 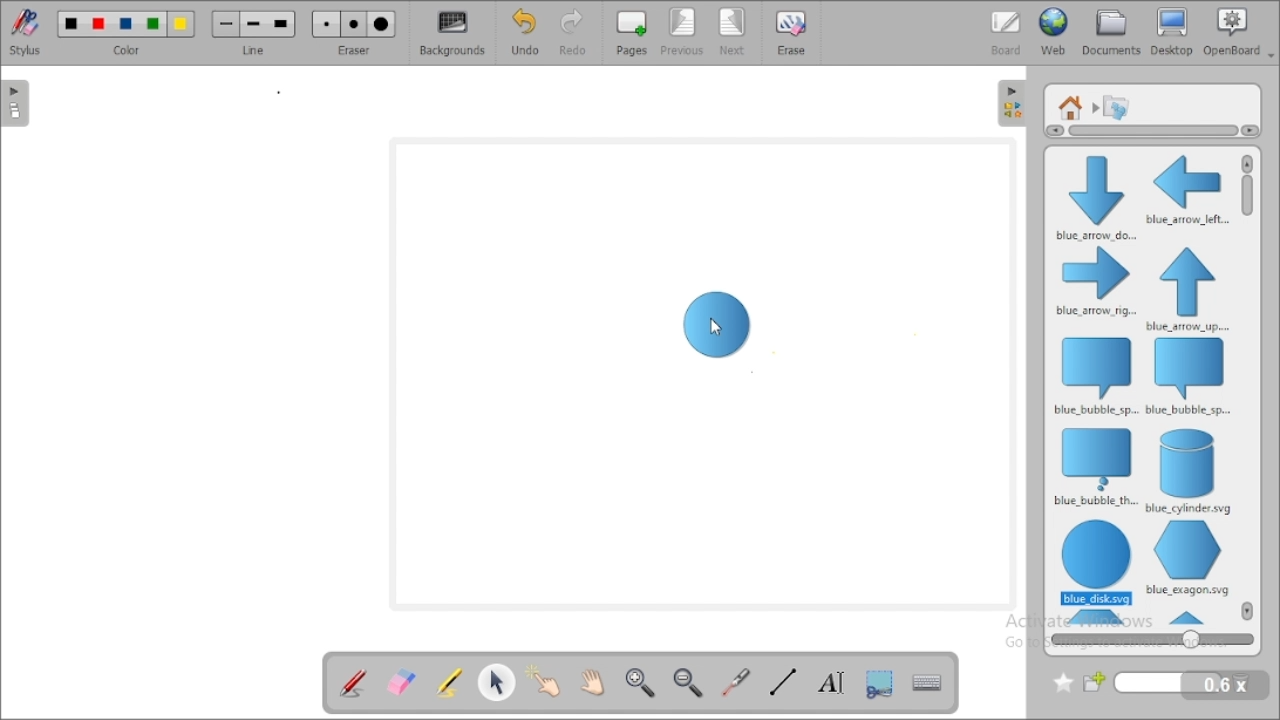 I want to click on erase annotation, so click(x=402, y=681).